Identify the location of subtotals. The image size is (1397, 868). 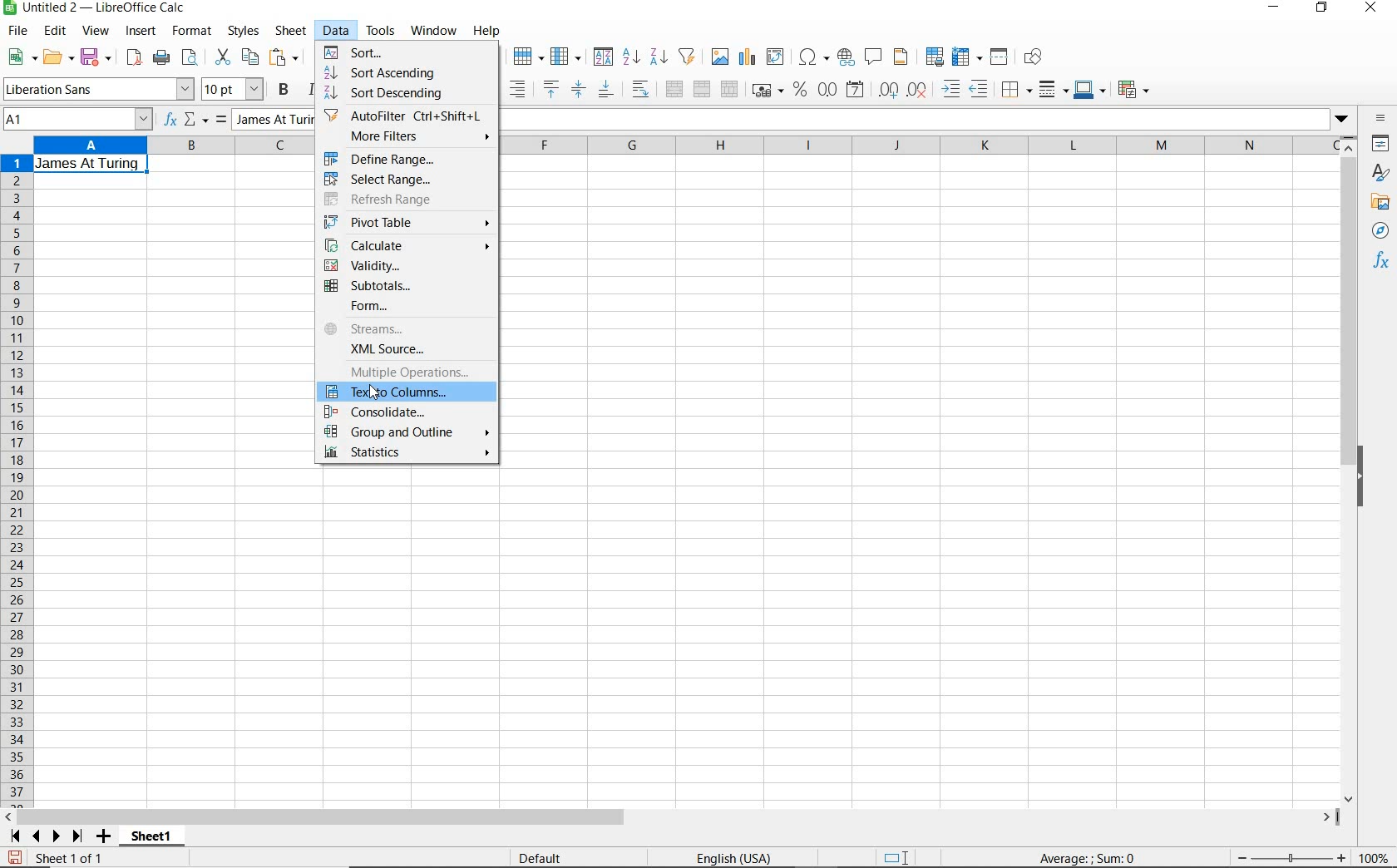
(407, 287).